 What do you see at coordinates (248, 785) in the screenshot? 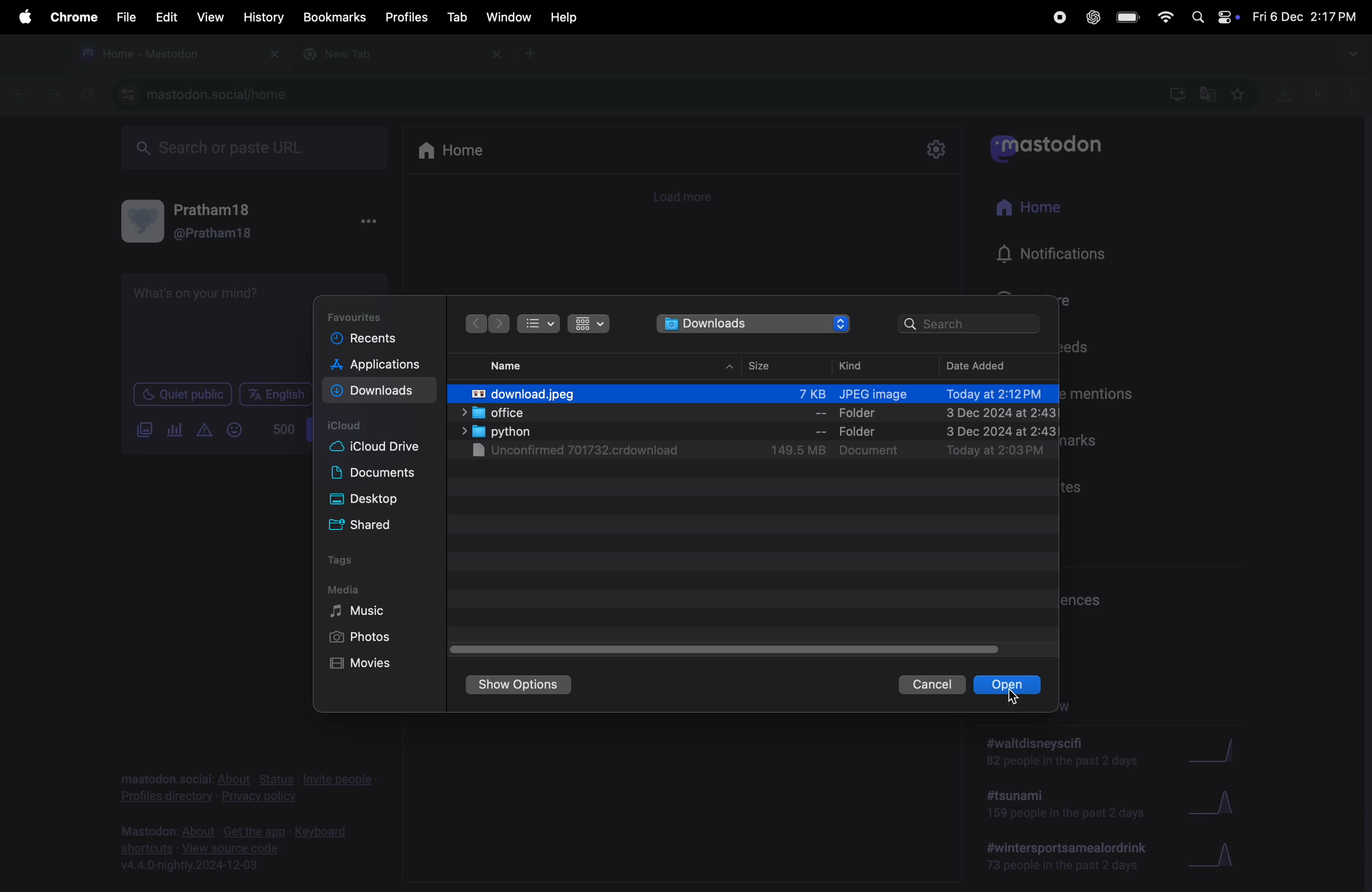
I see `privacy policy` at bounding box center [248, 785].